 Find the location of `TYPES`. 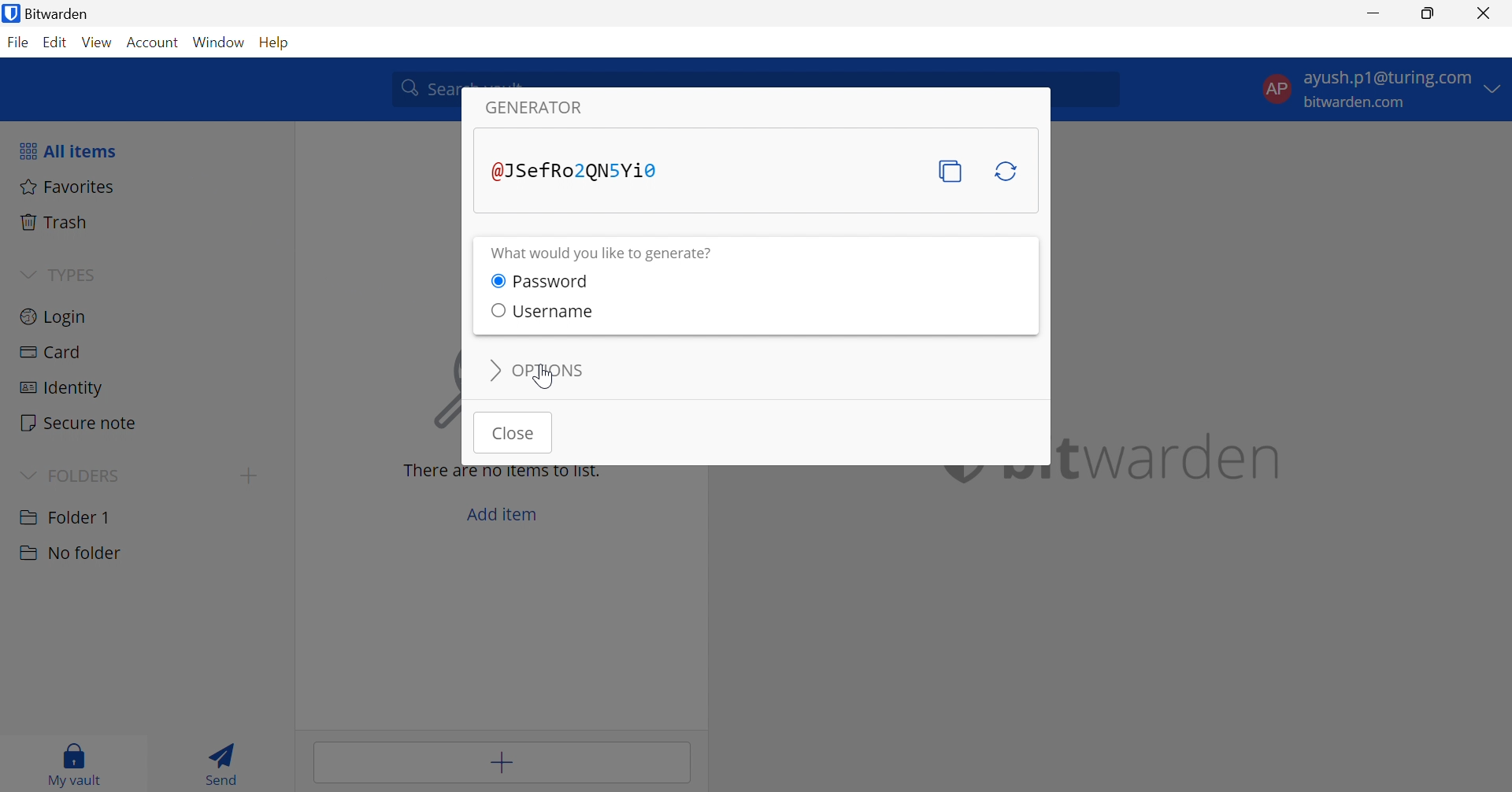

TYPES is located at coordinates (73, 274).